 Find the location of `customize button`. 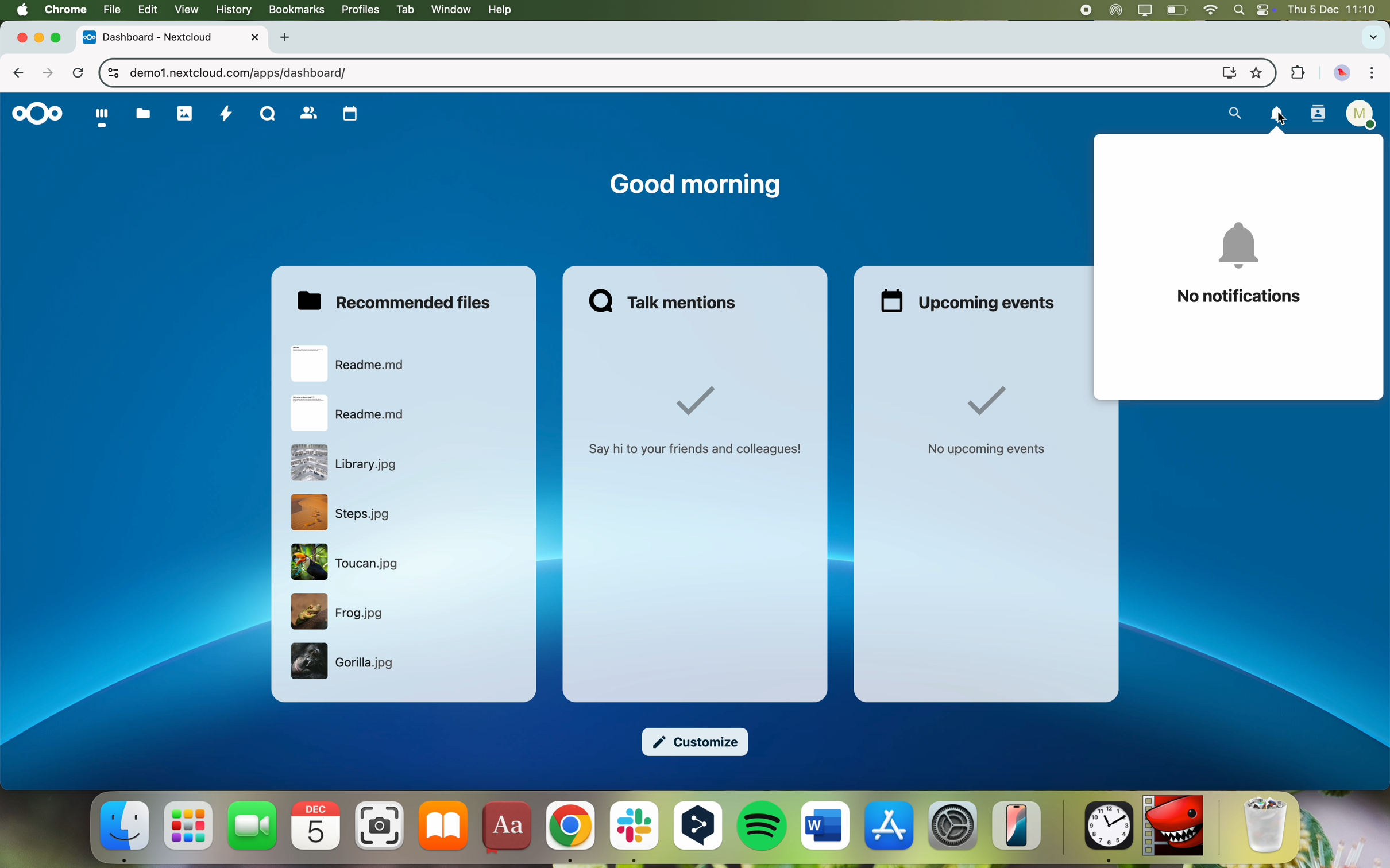

customize button is located at coordinates (697, 743).